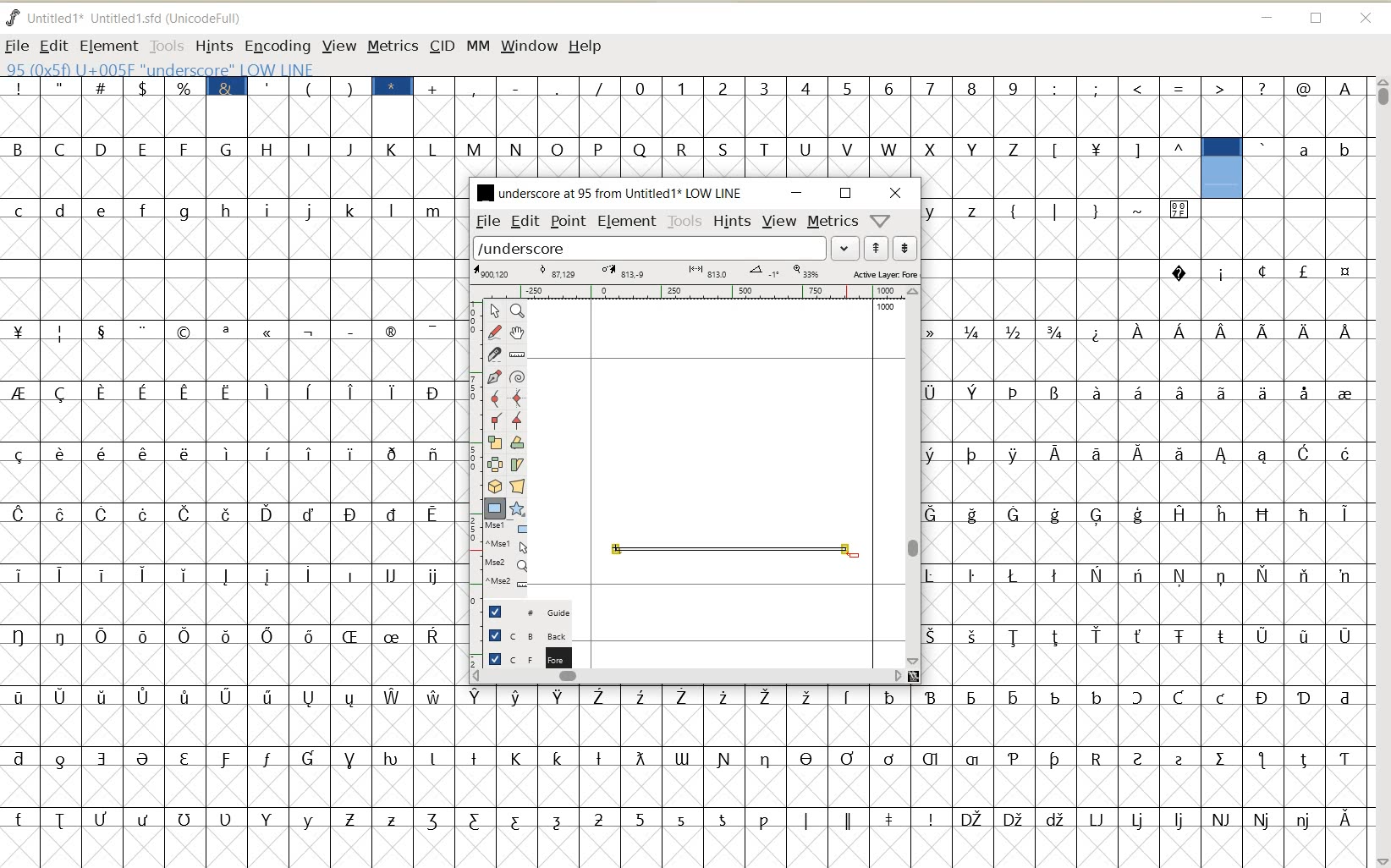 The height and width of the screenshot is (868, 1391). Describe the element at coordinates (518, 354) in the screenshot. I see `measure a distance, angle between points` at that location.